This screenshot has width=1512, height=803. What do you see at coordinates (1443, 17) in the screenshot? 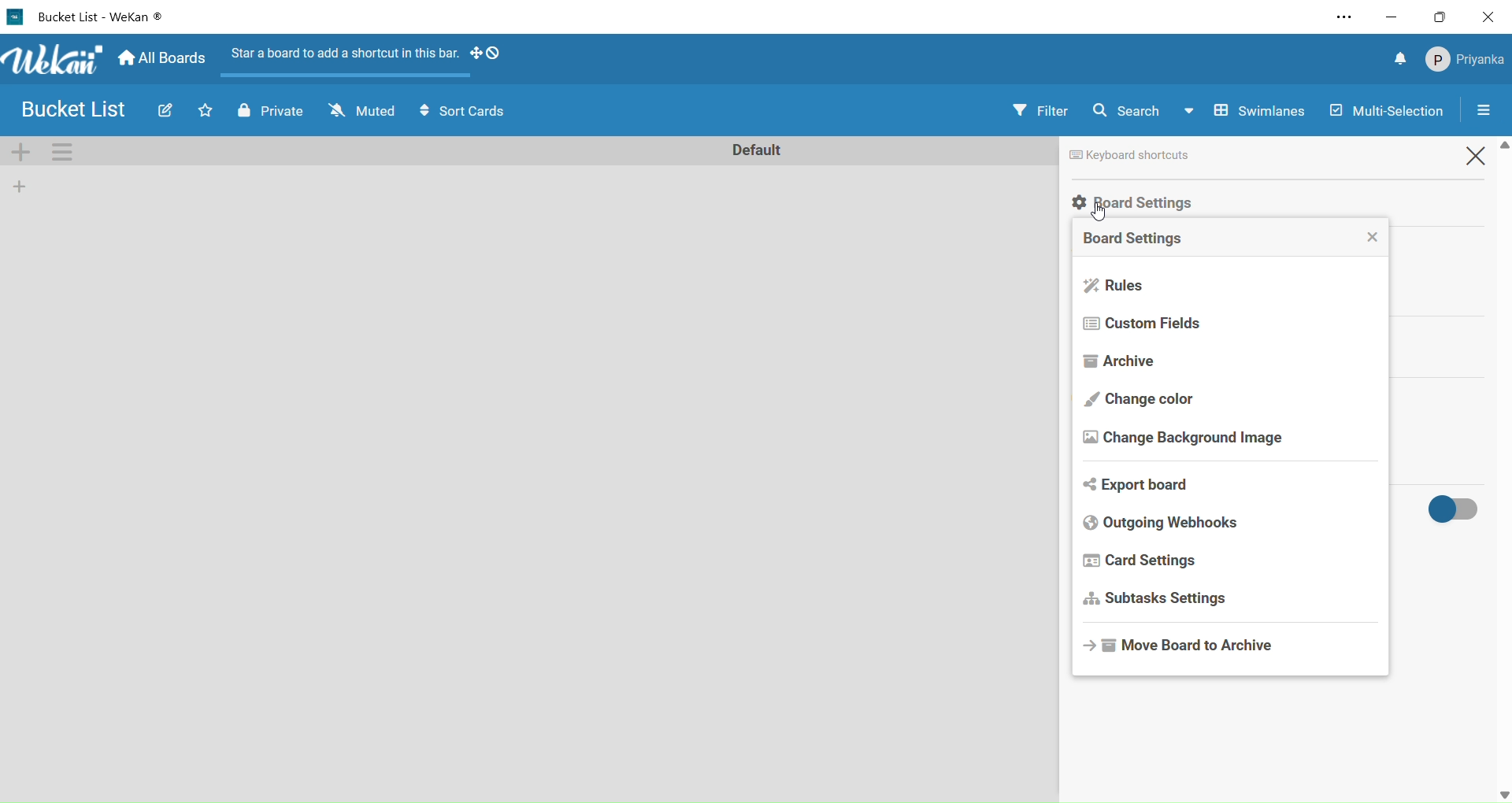
I see `maximize` at bounding box center [1443, 17].